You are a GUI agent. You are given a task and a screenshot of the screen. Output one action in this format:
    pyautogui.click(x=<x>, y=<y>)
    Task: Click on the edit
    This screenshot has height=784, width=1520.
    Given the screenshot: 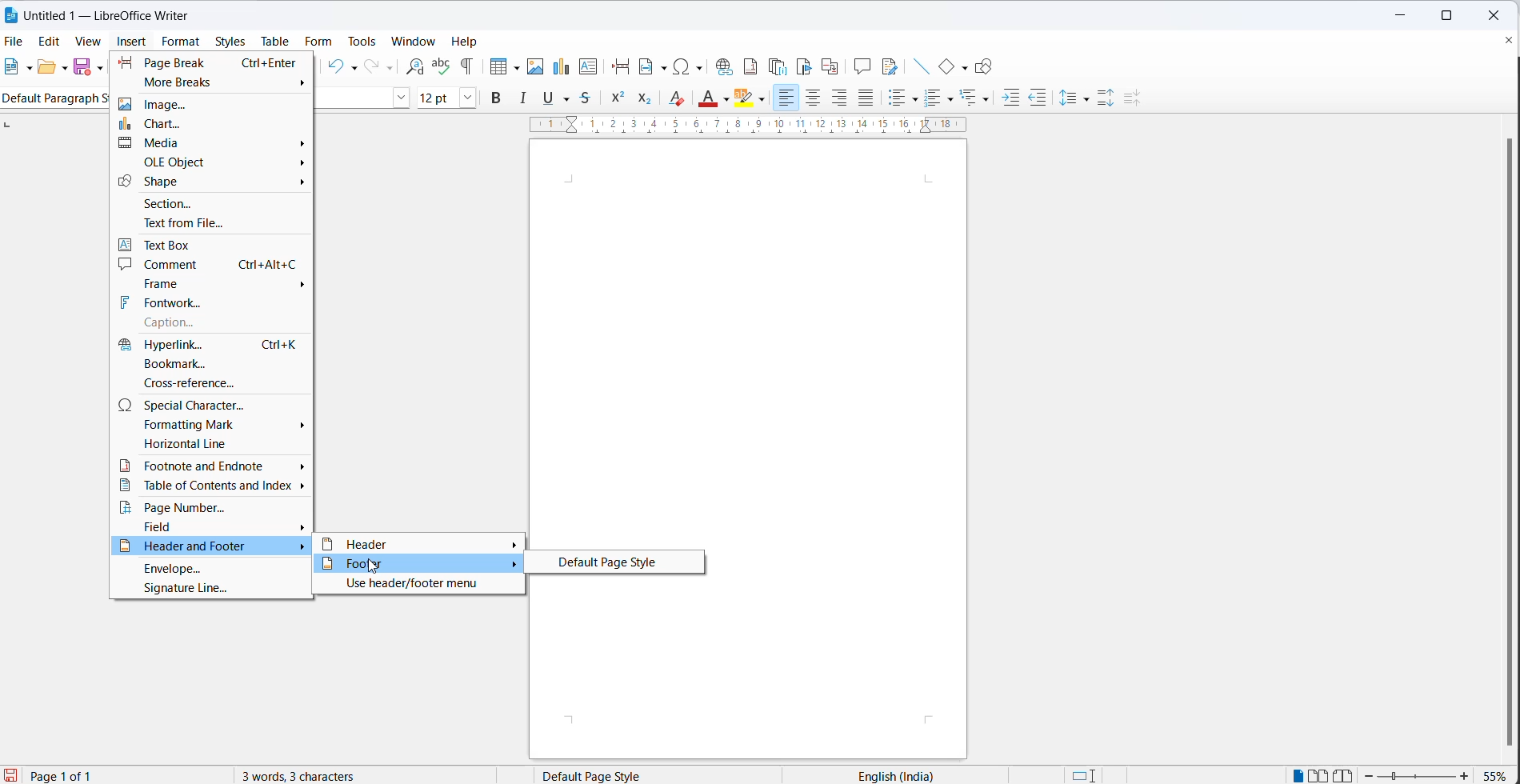 What is the action you would take?
    pyautogui.click(x=53, y=42)
    